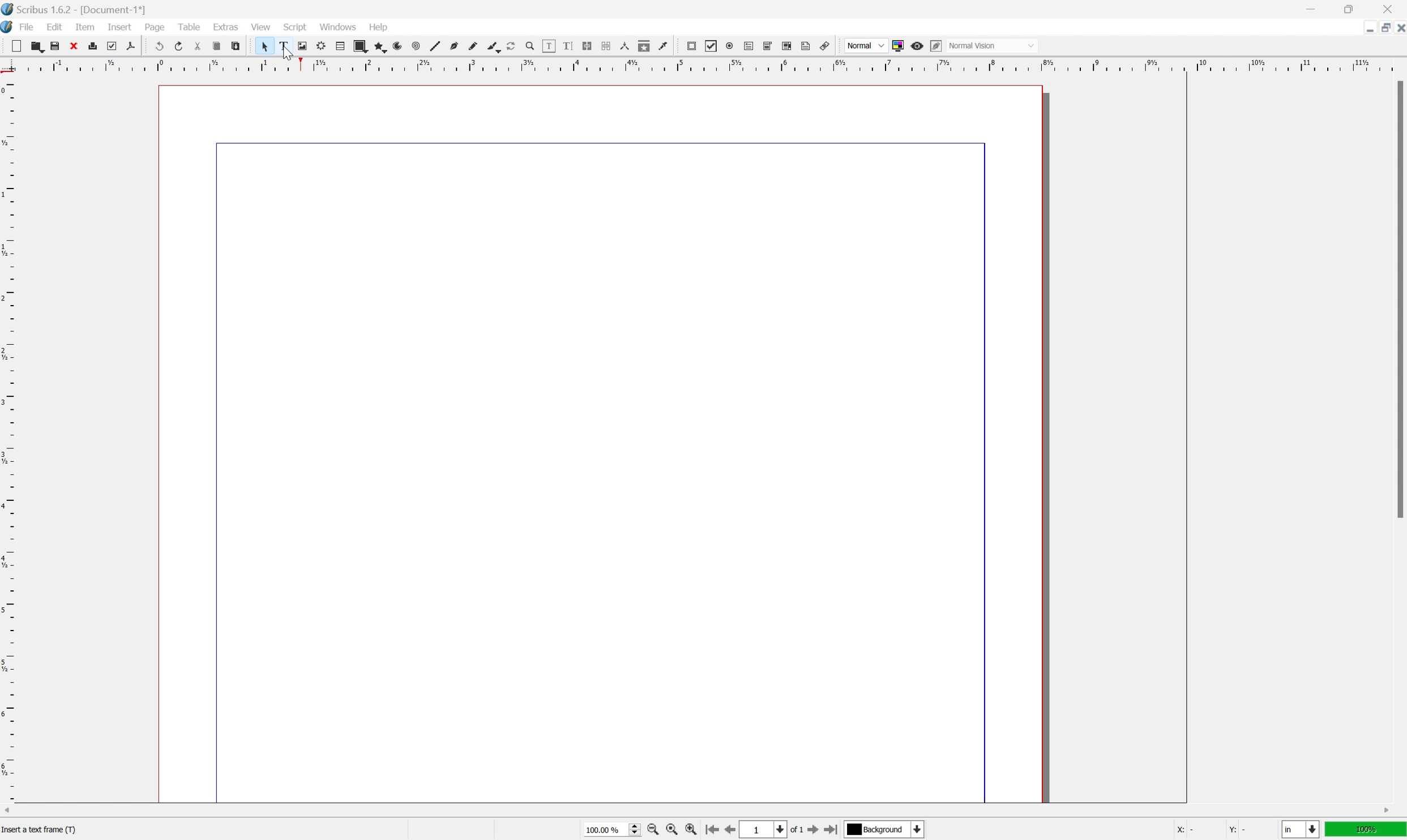 This screenshot has width=1407, height=840. Describe the element at coordinates (692, 831) in the screenshot. I see `zoom in` at that location.